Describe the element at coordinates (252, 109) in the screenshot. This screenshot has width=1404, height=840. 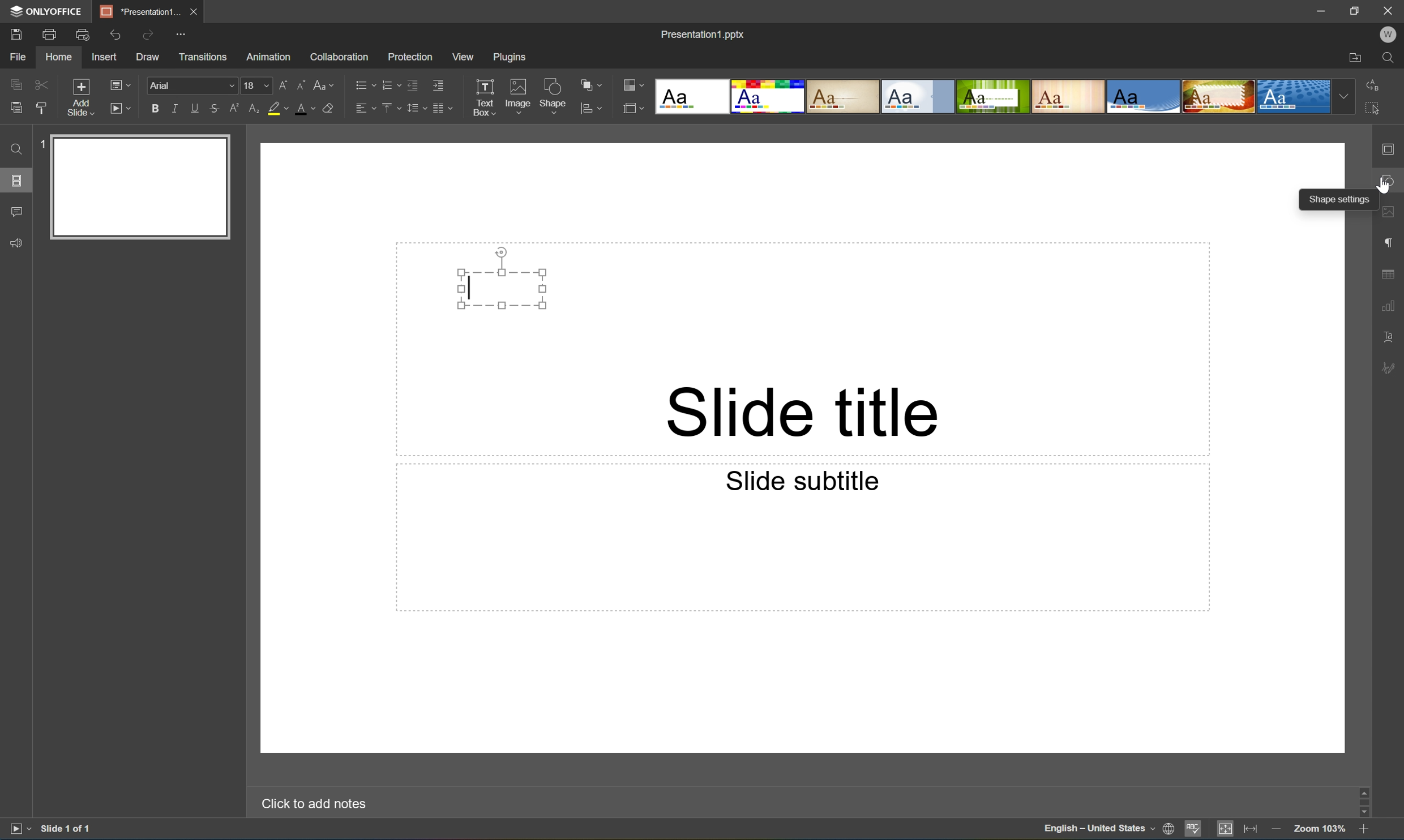
I see `Subscript` at that location.